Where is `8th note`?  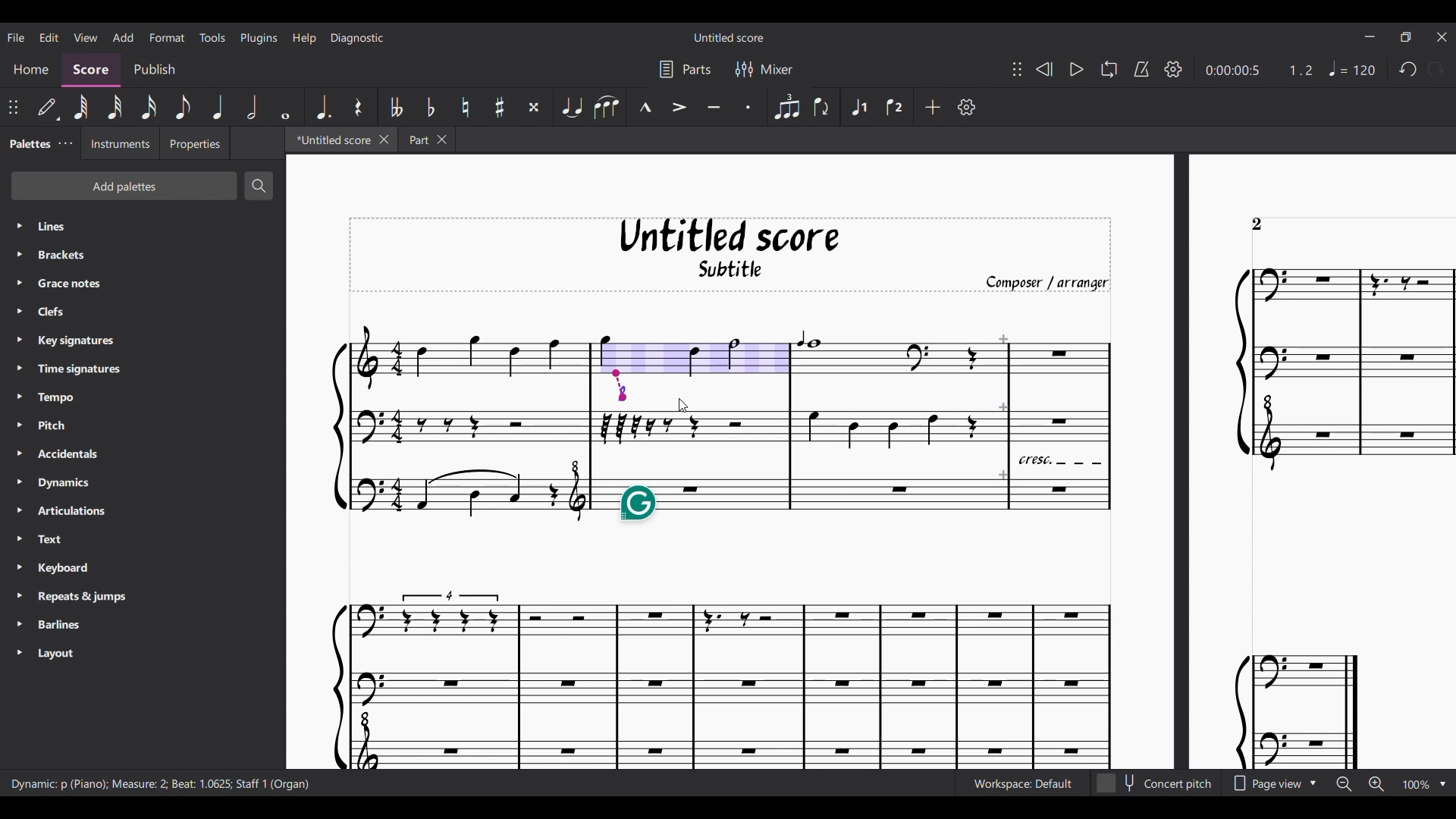 8th note is located at coordinates (182, 107).